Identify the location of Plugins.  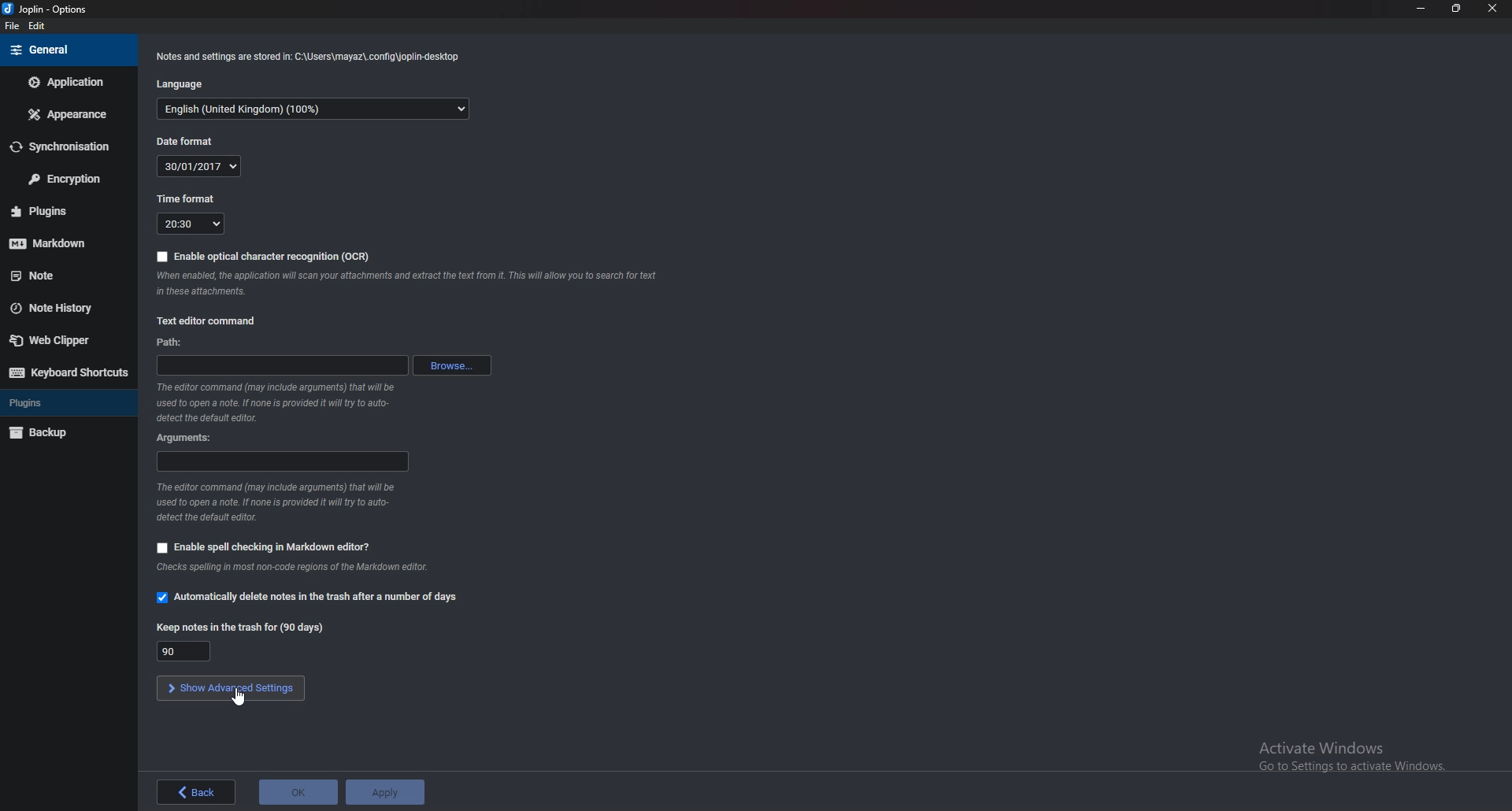
(59, 211).